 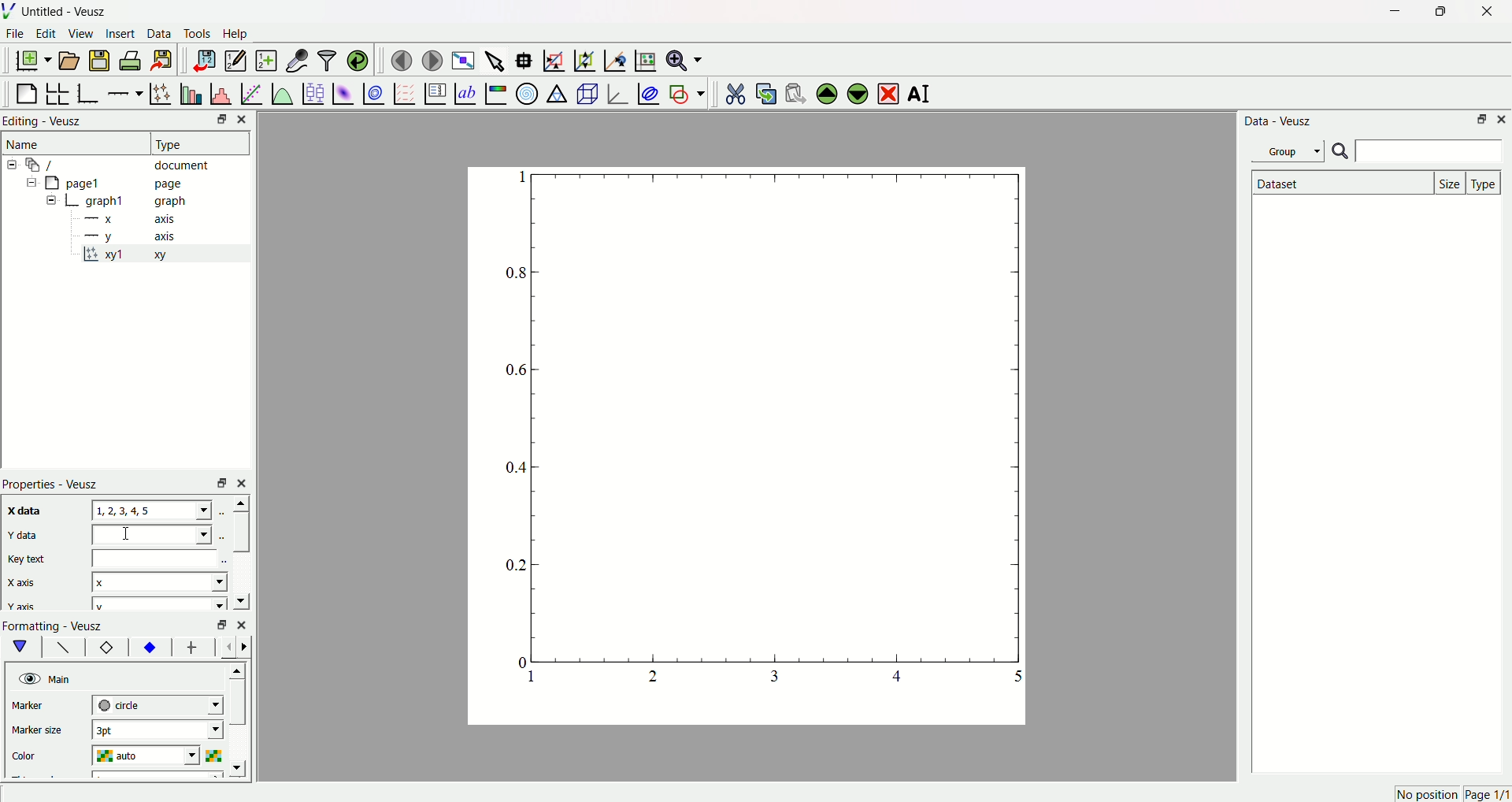 I want to click on zoom functions, so click(x=684, y=60).